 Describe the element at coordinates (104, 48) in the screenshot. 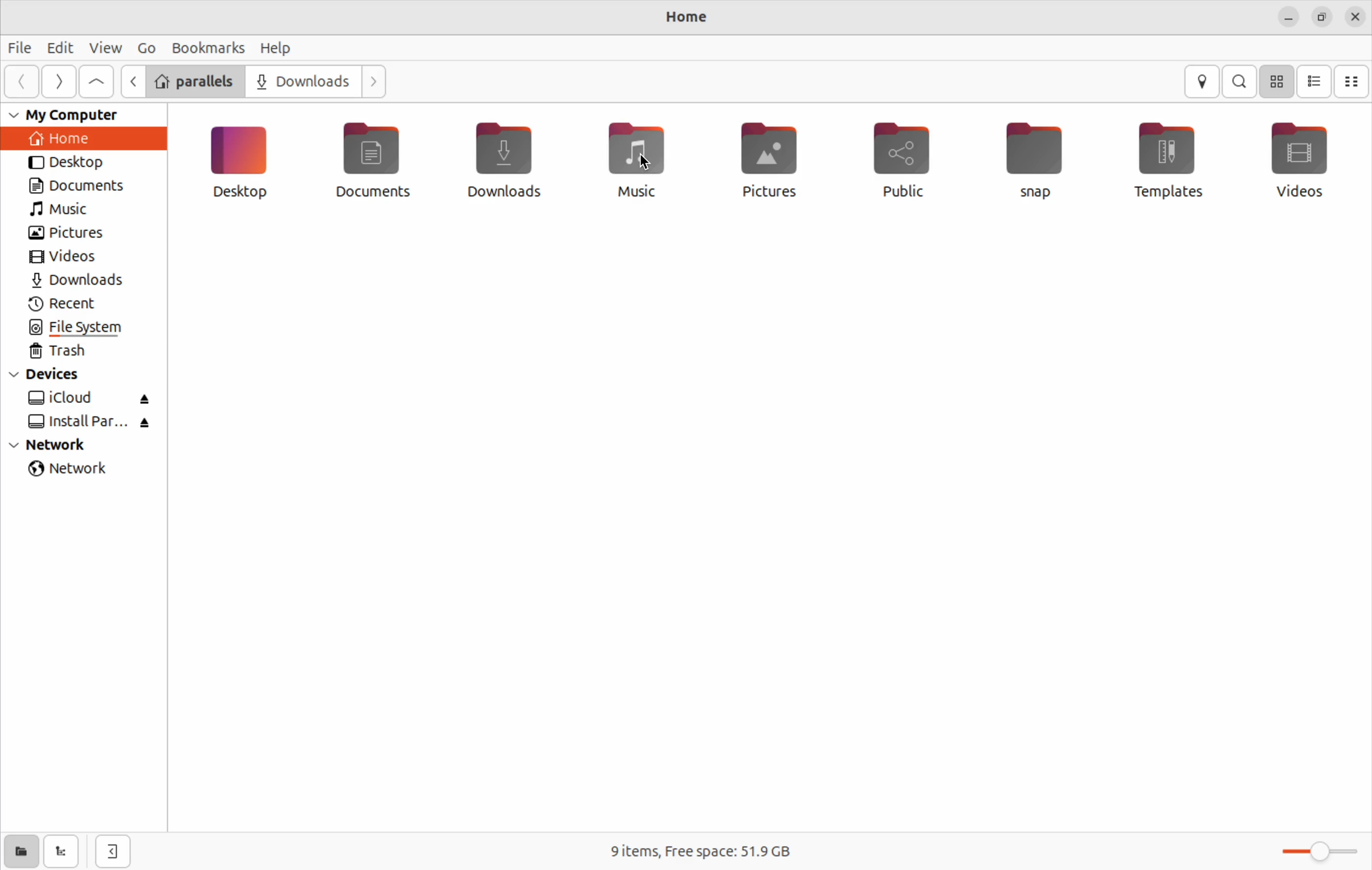

I see `view` at that location.